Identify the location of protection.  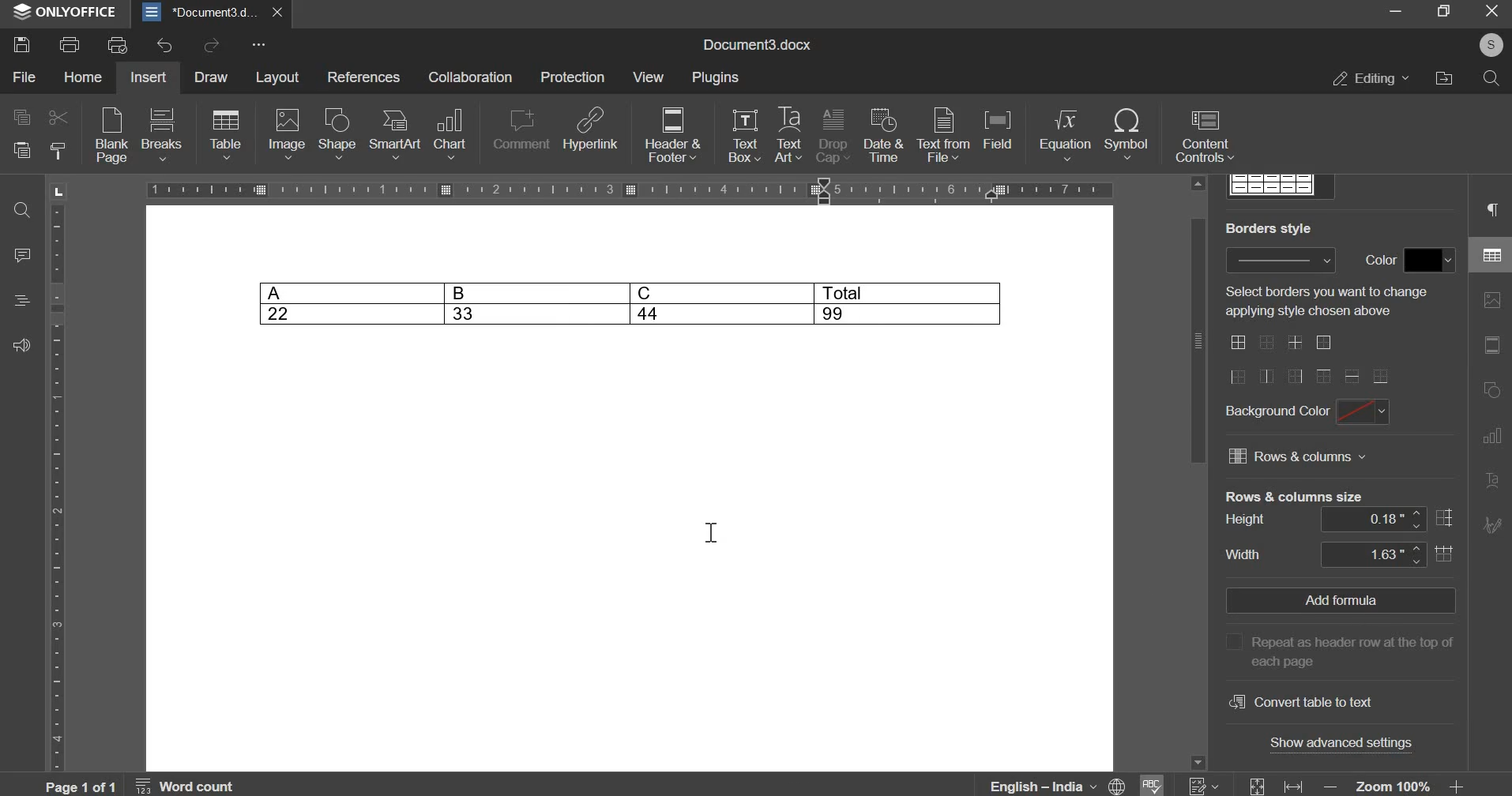
(574, 78).